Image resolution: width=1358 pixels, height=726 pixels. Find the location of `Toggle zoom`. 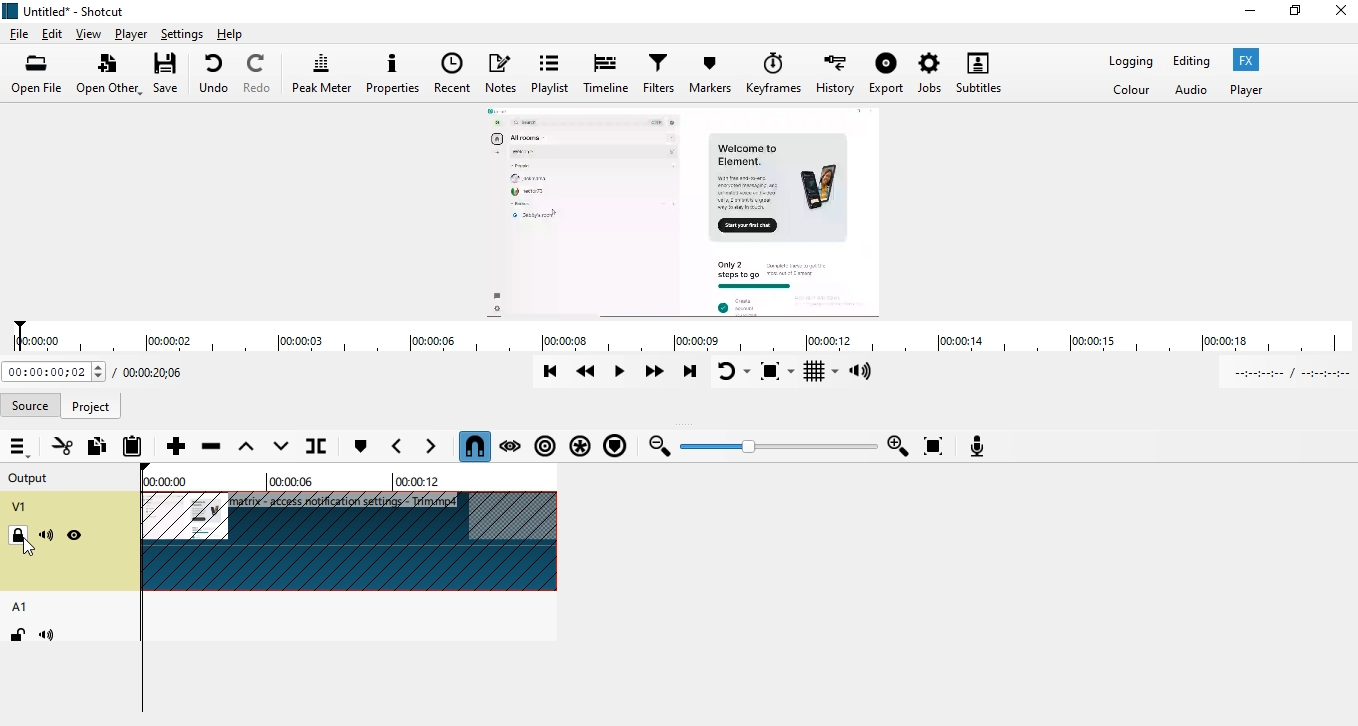

Toggle zoom is located at coordinates (778, 372).